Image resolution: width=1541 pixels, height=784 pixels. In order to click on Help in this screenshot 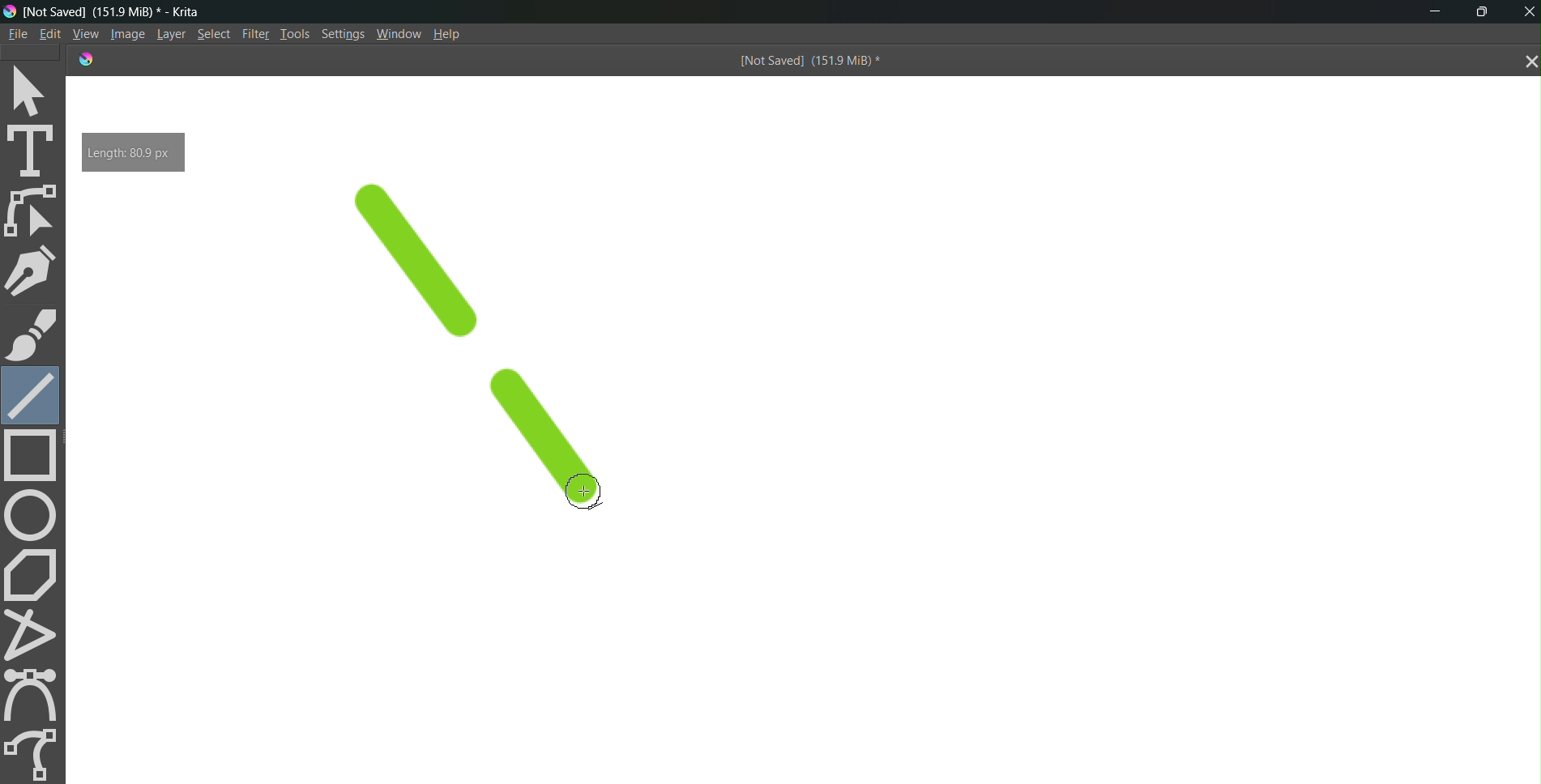, I will do `click(454, 34)`.